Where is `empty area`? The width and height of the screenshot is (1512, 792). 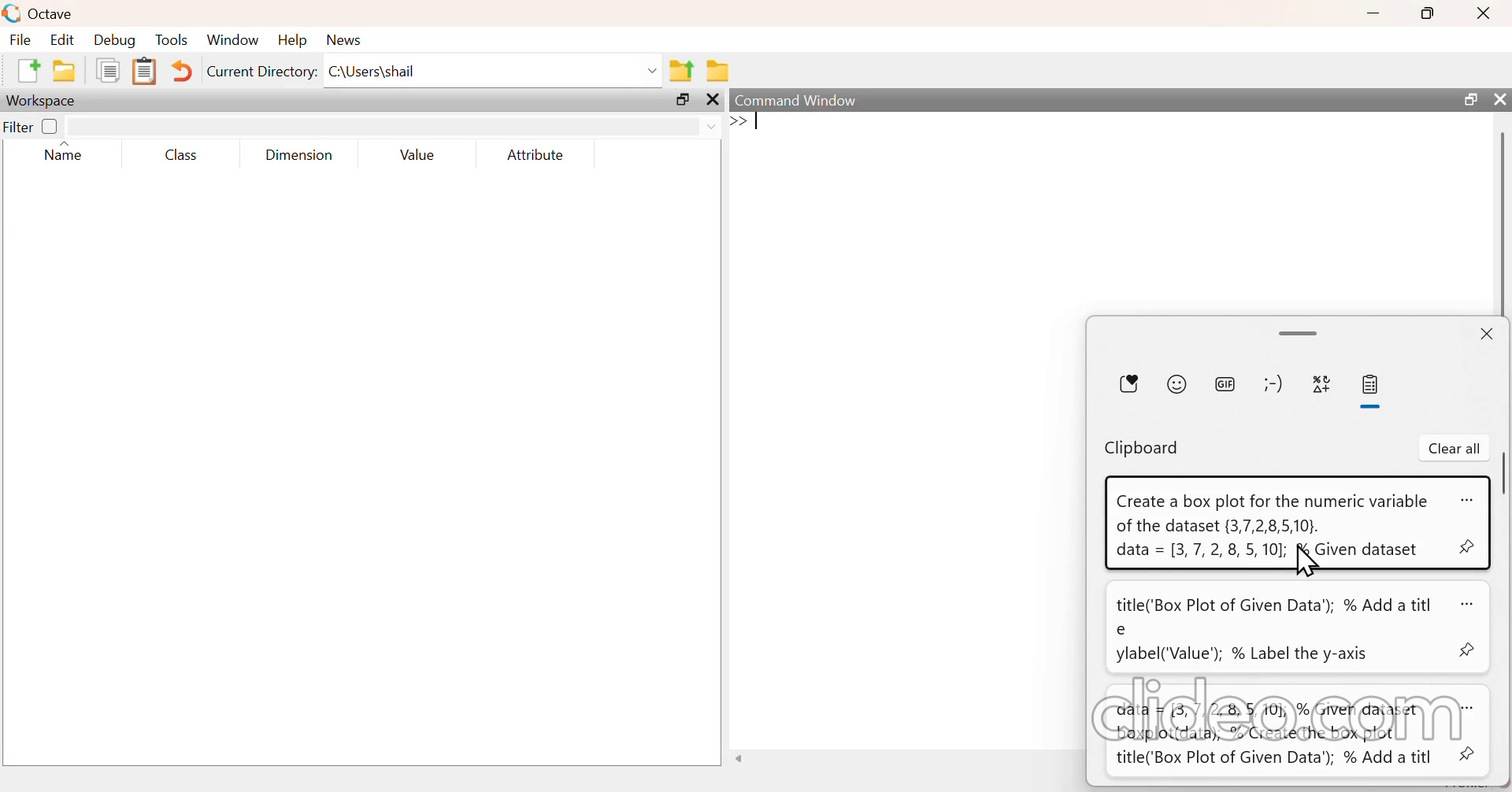
empty area is located at coordinates (1108, 225).